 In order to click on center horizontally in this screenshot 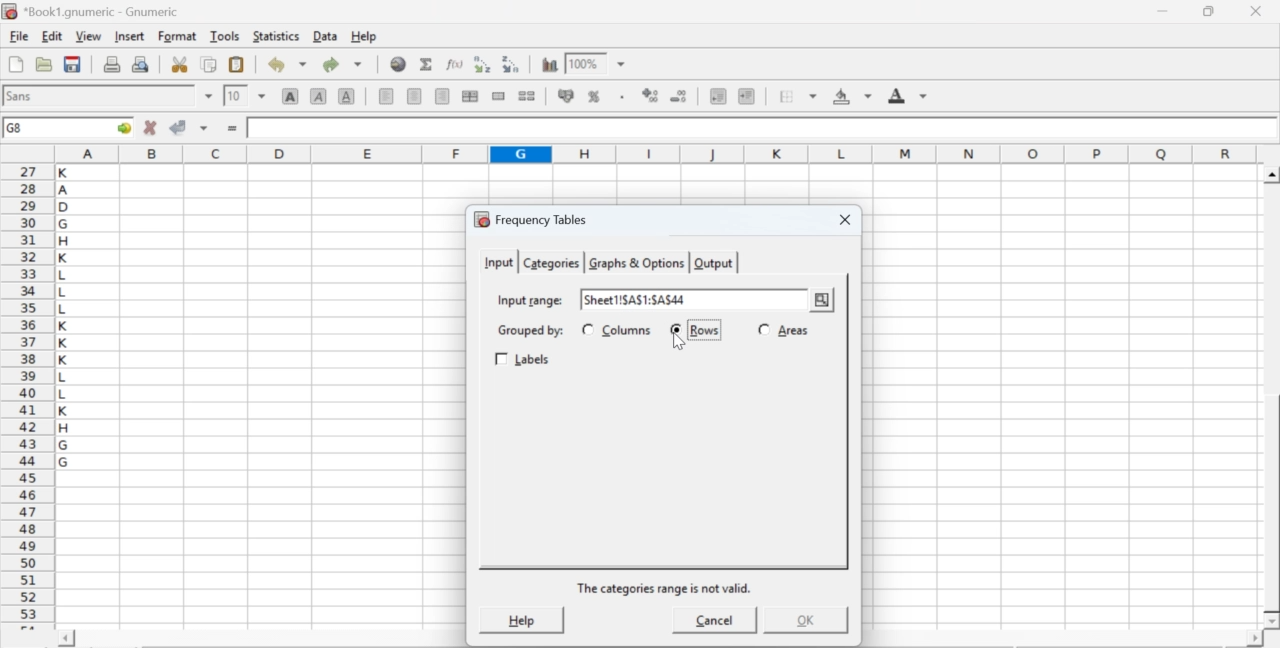, I will do `click(470, 96)`.